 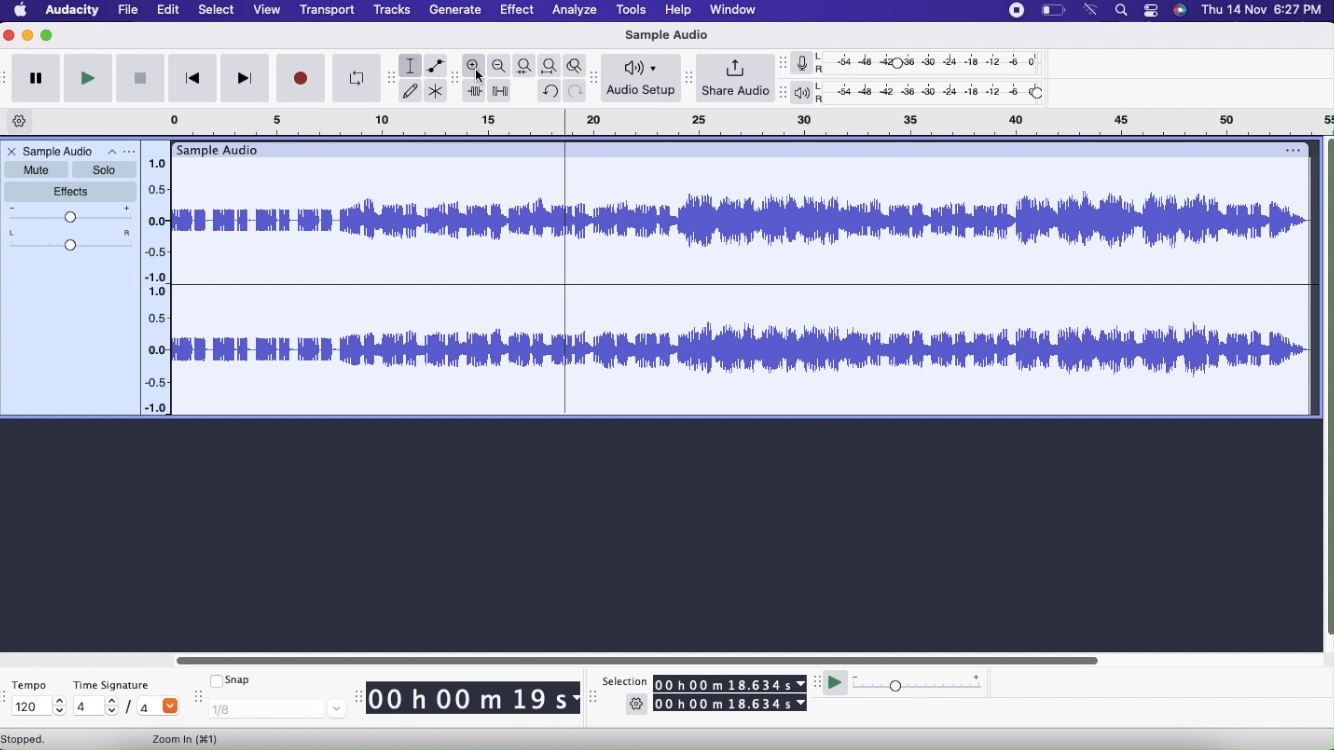 I want to click on Close, so click(x=10, y=151).